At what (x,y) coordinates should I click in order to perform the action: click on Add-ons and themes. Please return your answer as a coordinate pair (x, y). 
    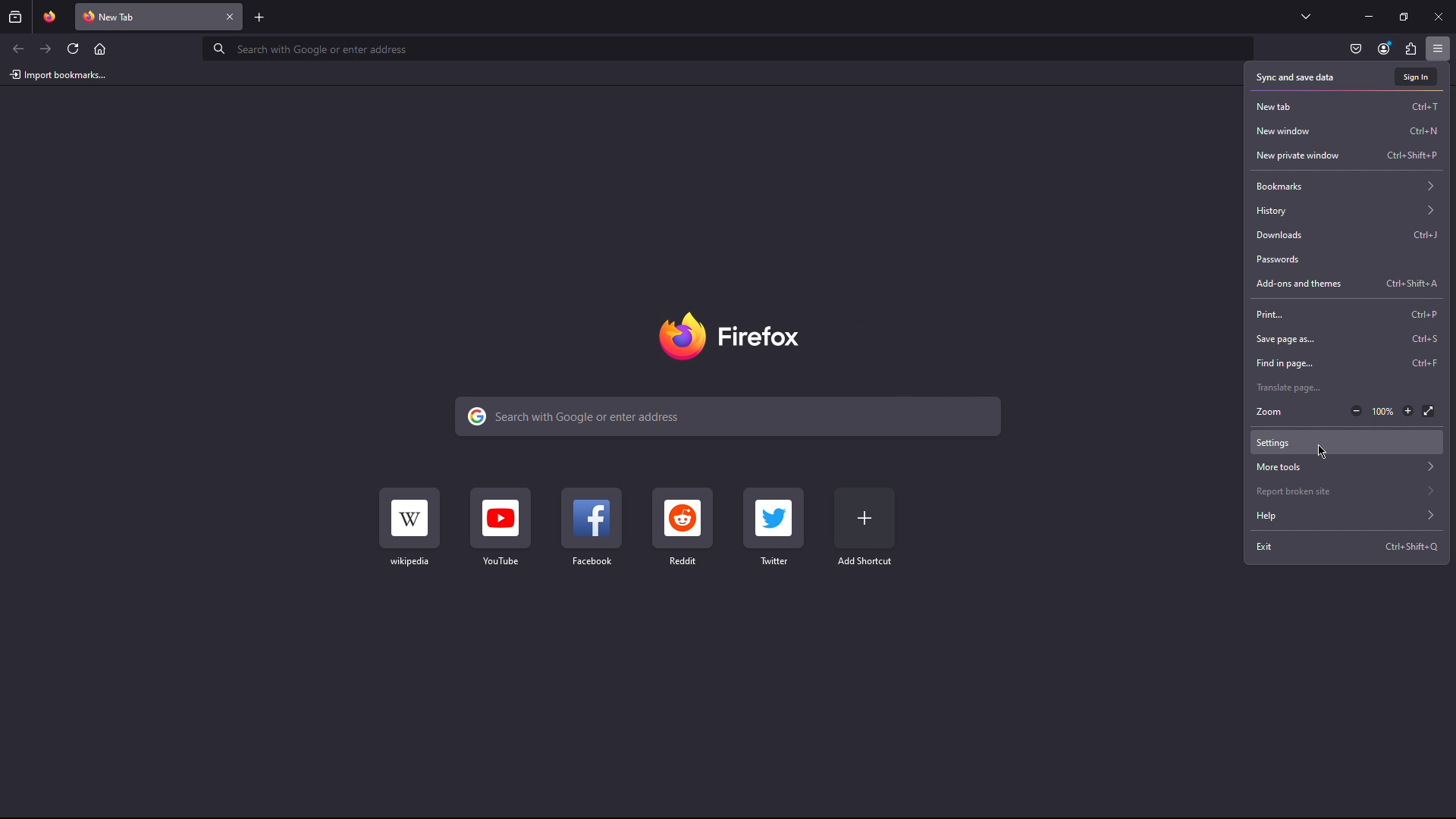
    Looking at the image, I should click on (1346, 284).